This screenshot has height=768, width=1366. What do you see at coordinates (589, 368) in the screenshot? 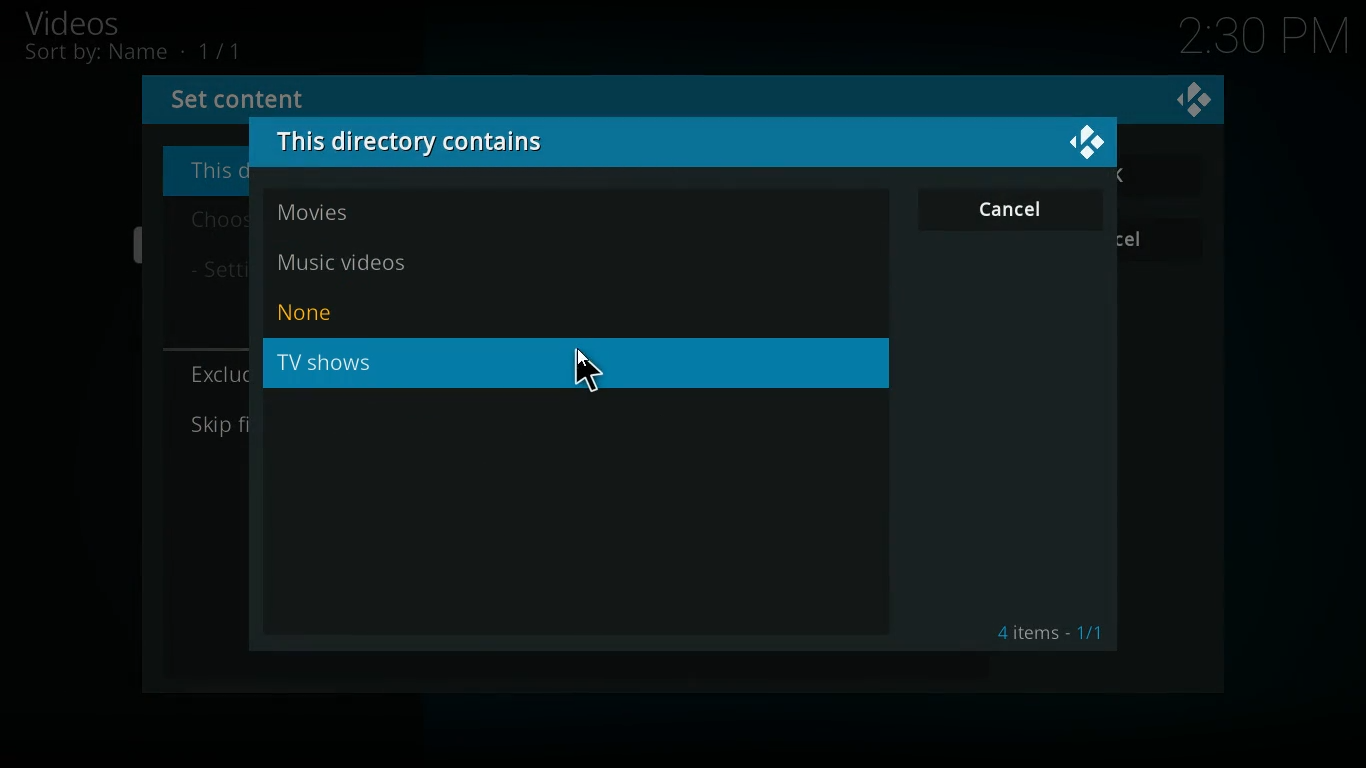
I see `cursor` at bounding box center [589, 368].